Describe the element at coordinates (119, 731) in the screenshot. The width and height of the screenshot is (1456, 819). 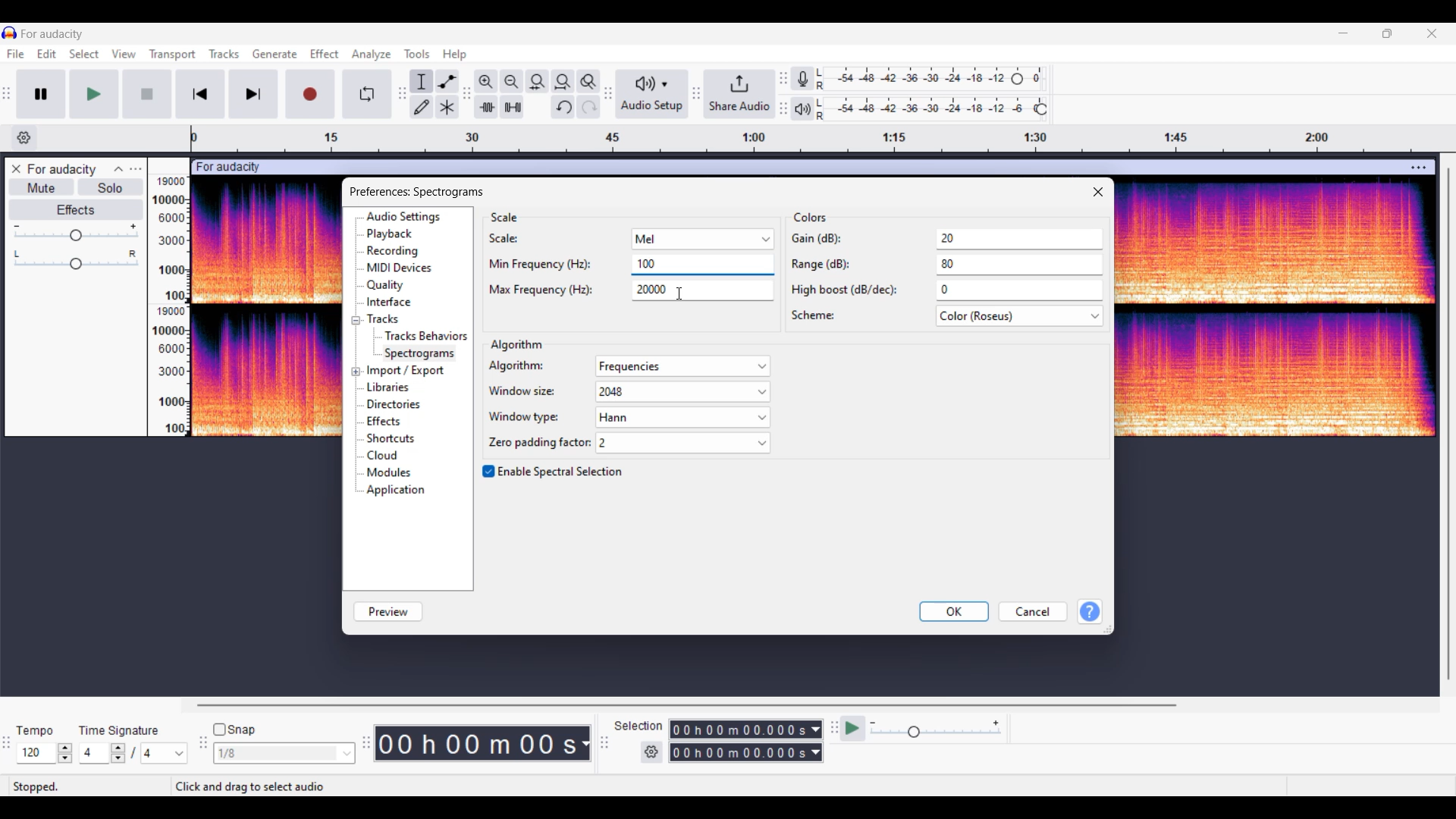
I see `Indicates time signature settings ` at that location.